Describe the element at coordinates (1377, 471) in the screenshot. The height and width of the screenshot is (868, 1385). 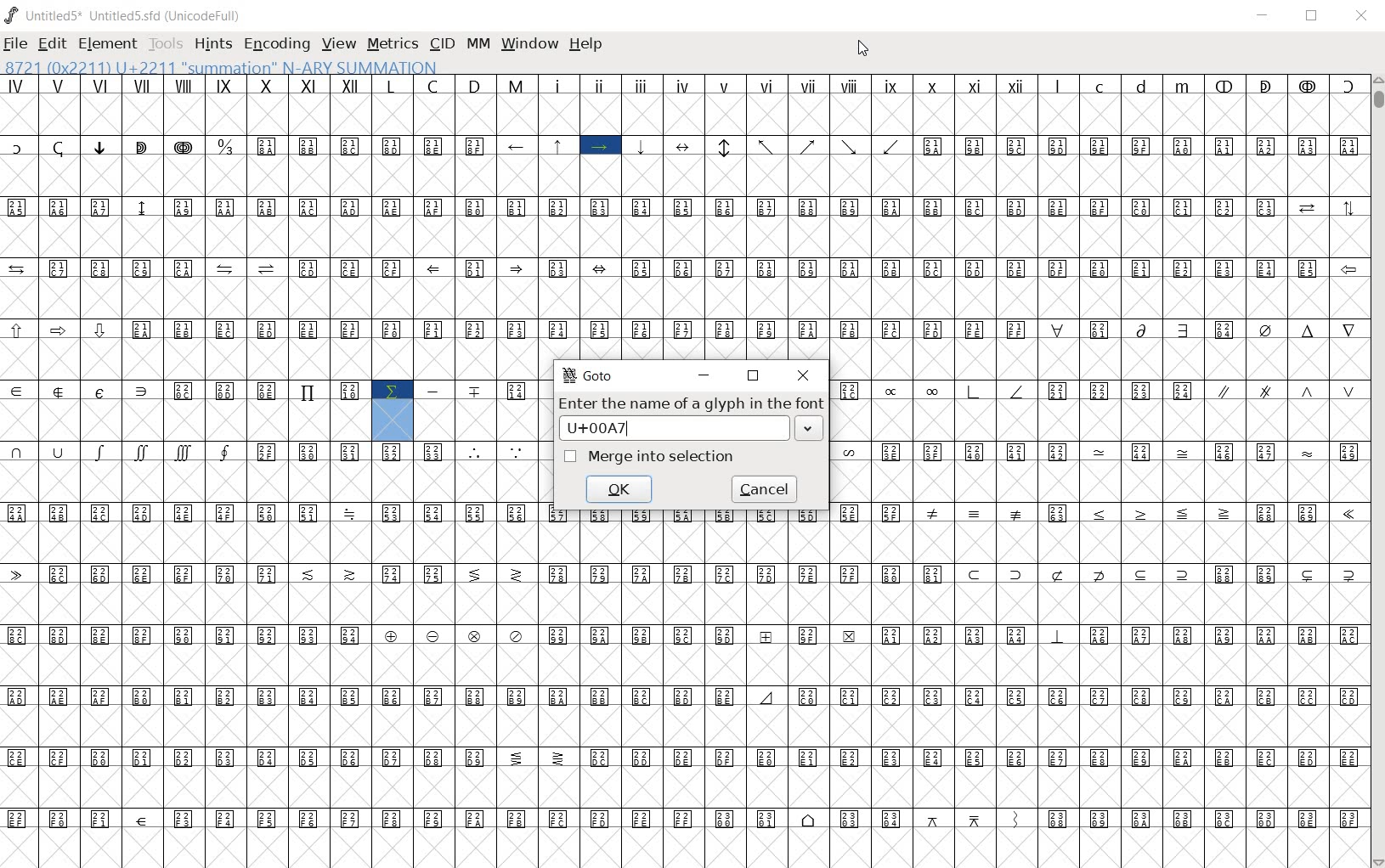
I see `SCROLLBAR` at that location.